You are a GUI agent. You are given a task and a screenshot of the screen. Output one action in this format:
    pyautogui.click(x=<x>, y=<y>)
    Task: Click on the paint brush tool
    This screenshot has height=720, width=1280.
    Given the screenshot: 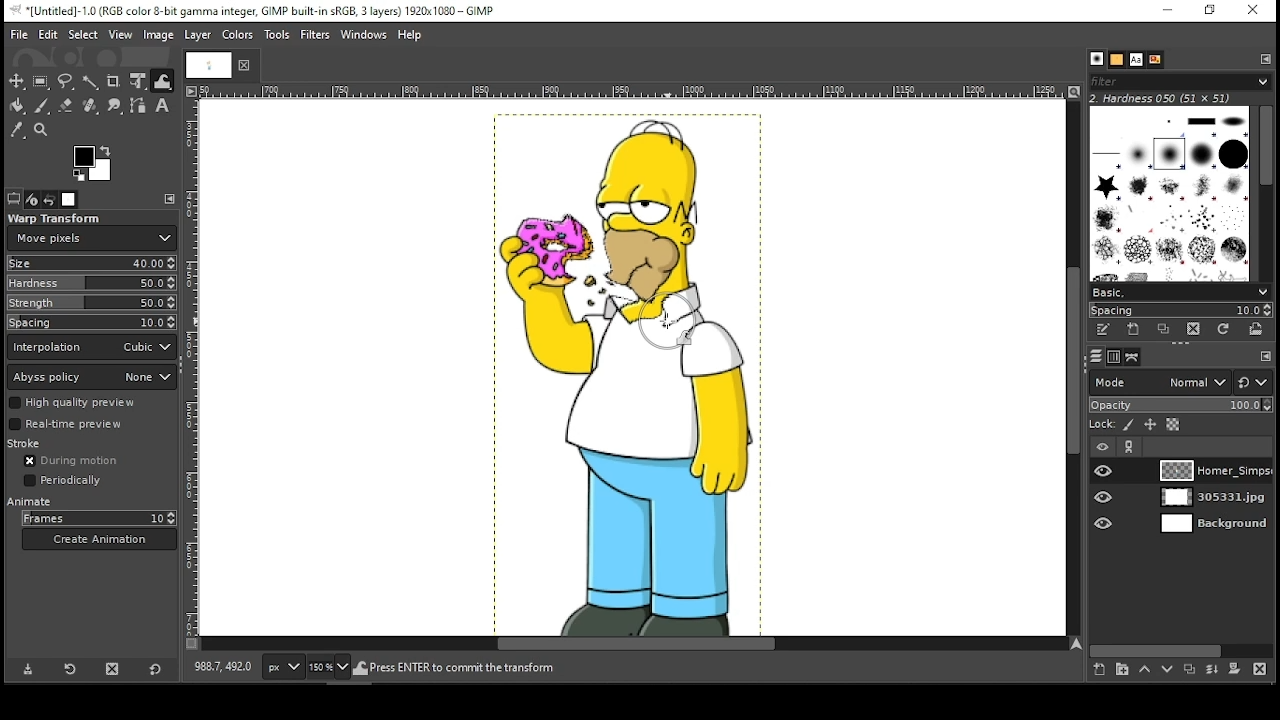 What is the action you would take?
    pyautogui.click(x=44, y=104)
    